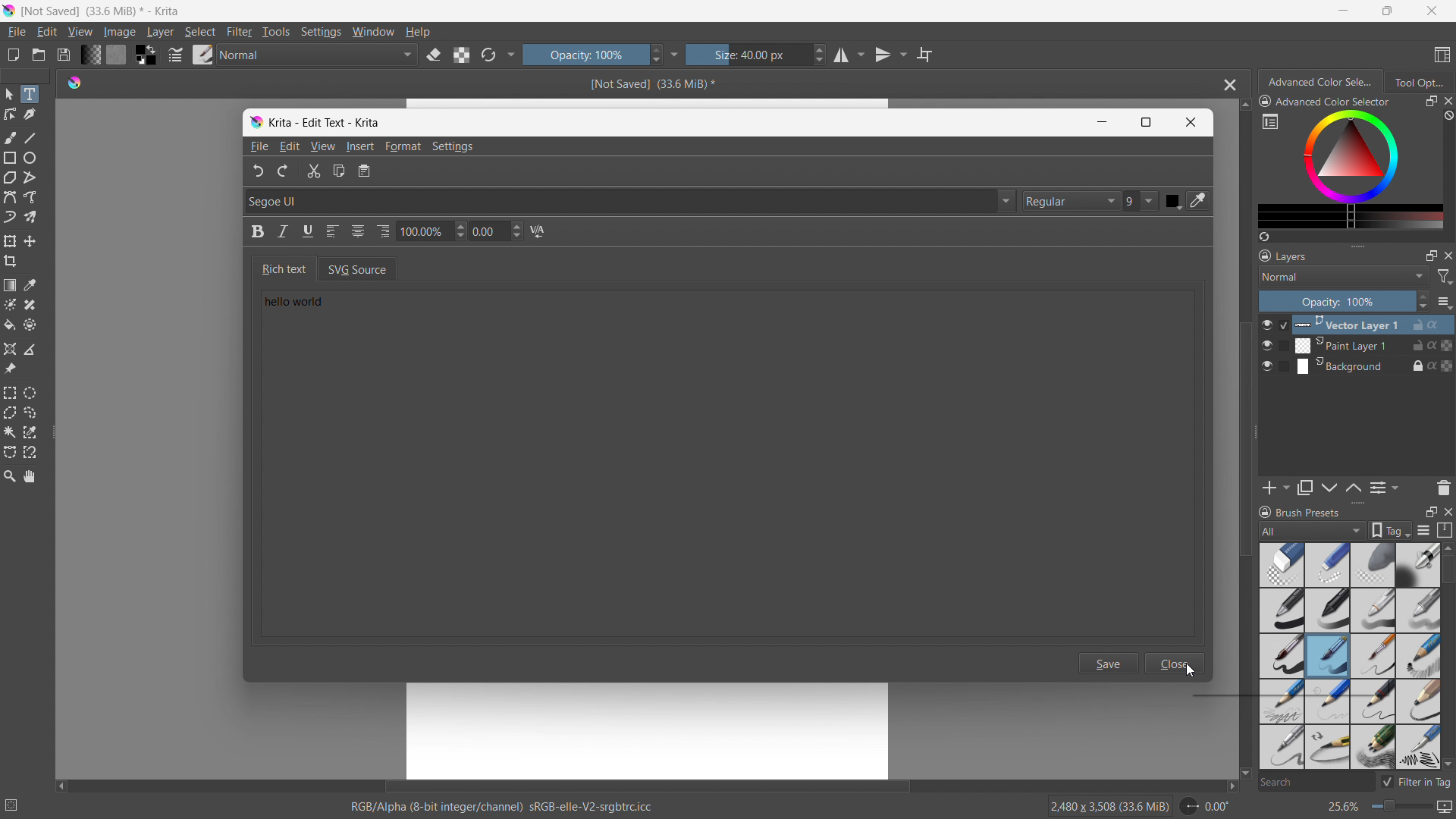 Image resolution: width=1456 pixels, height=819 pixels. I want to click on scroll up, so click(1447, 548).